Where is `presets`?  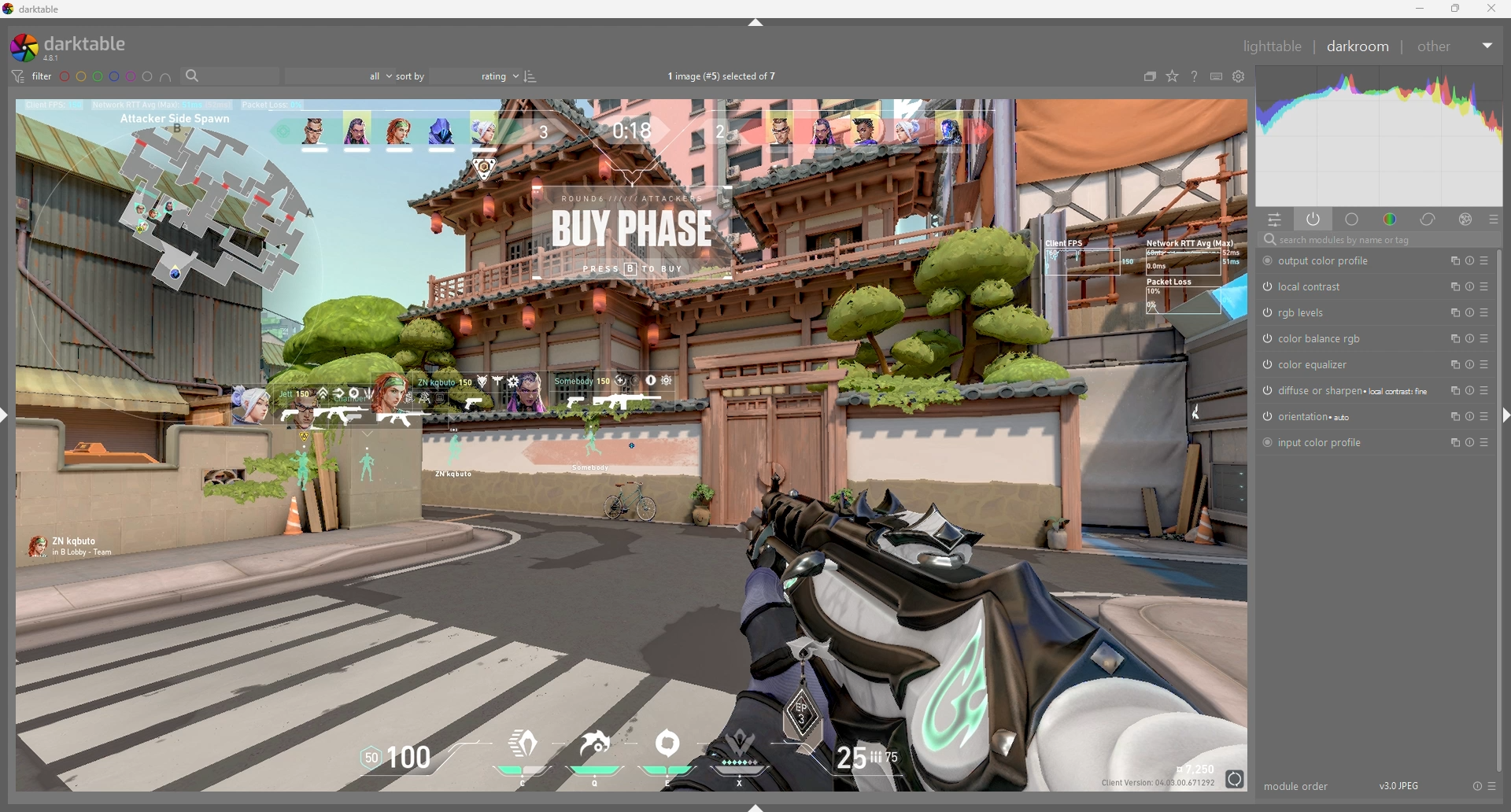 presets is located at coordinates (1484, 416).